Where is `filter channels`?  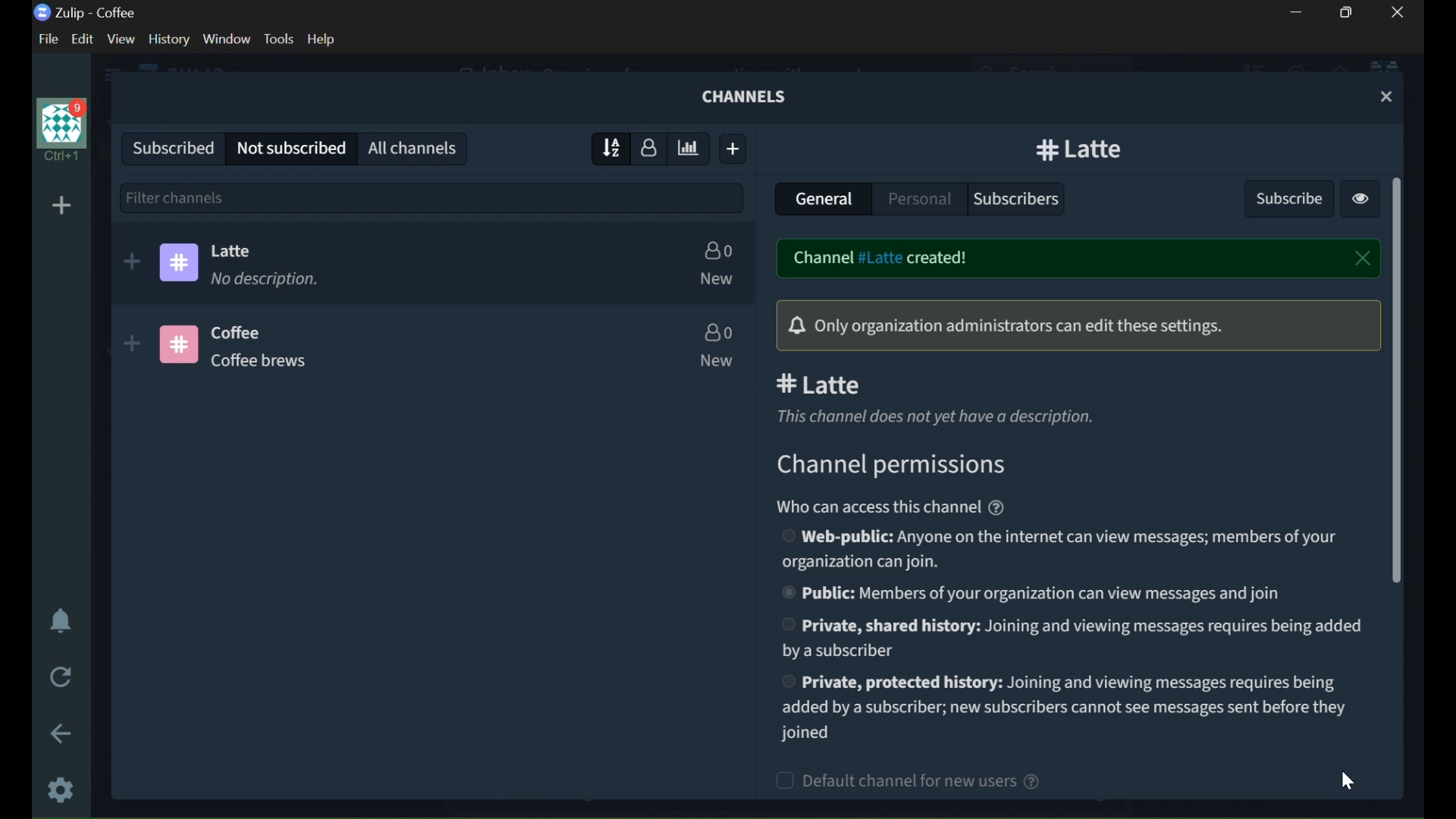 filter channels is located at coordinates (432, 196).